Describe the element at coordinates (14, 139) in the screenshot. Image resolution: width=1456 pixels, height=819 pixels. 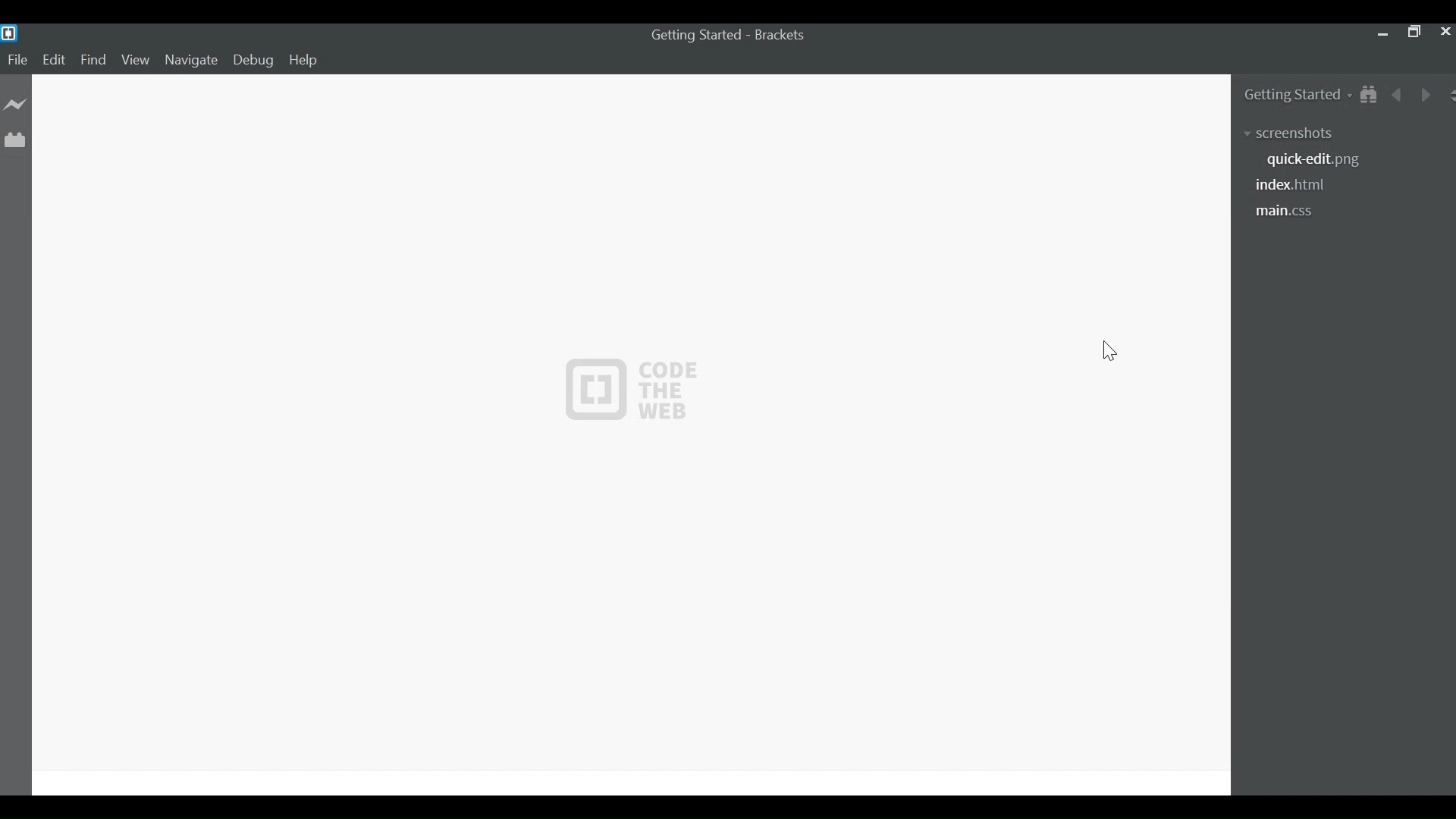
I see `Manager Extension` at that location.